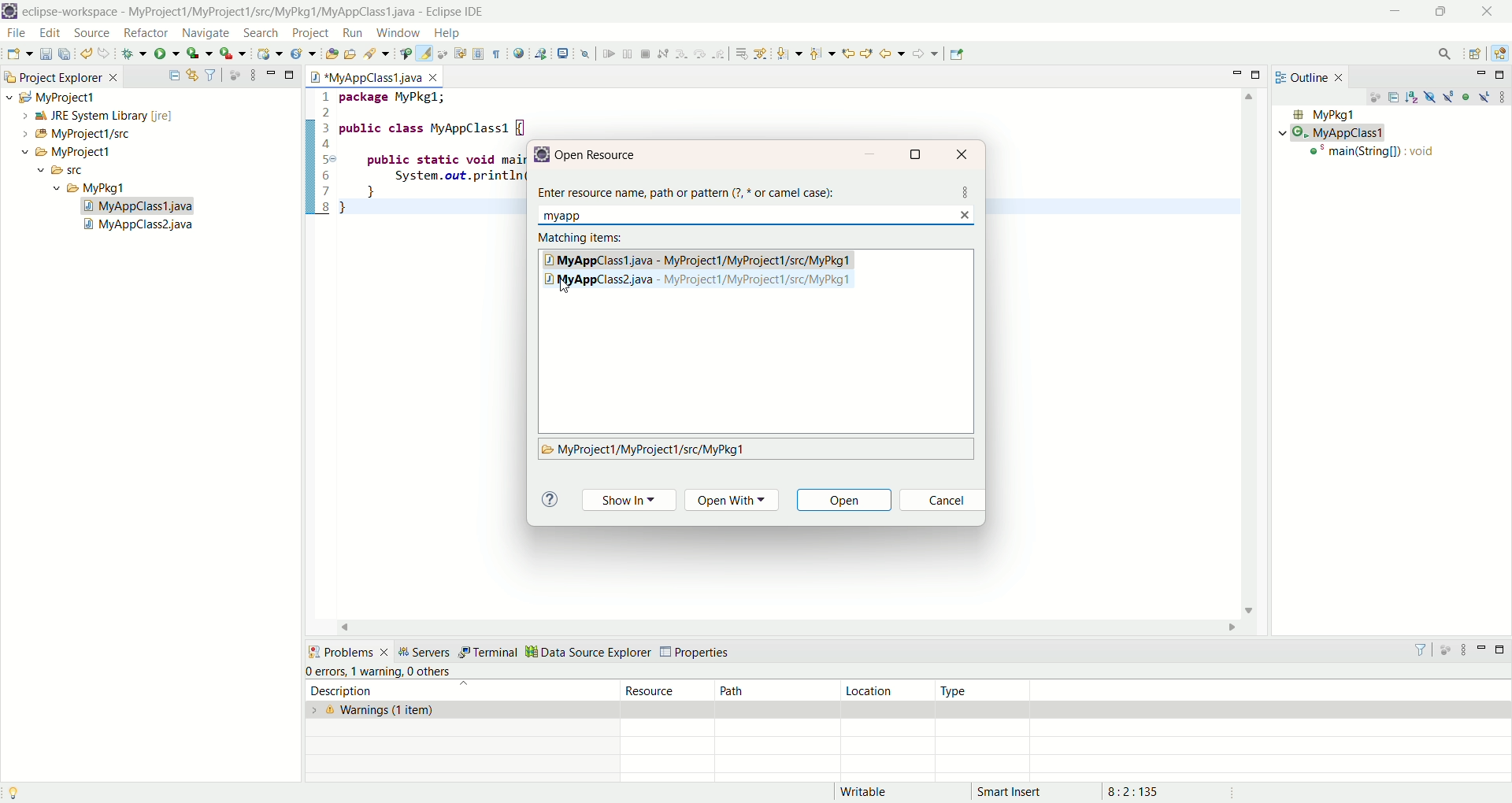 The image size is (1512, 803). I want to click on 8: 2: 135, so click(1152, 790).